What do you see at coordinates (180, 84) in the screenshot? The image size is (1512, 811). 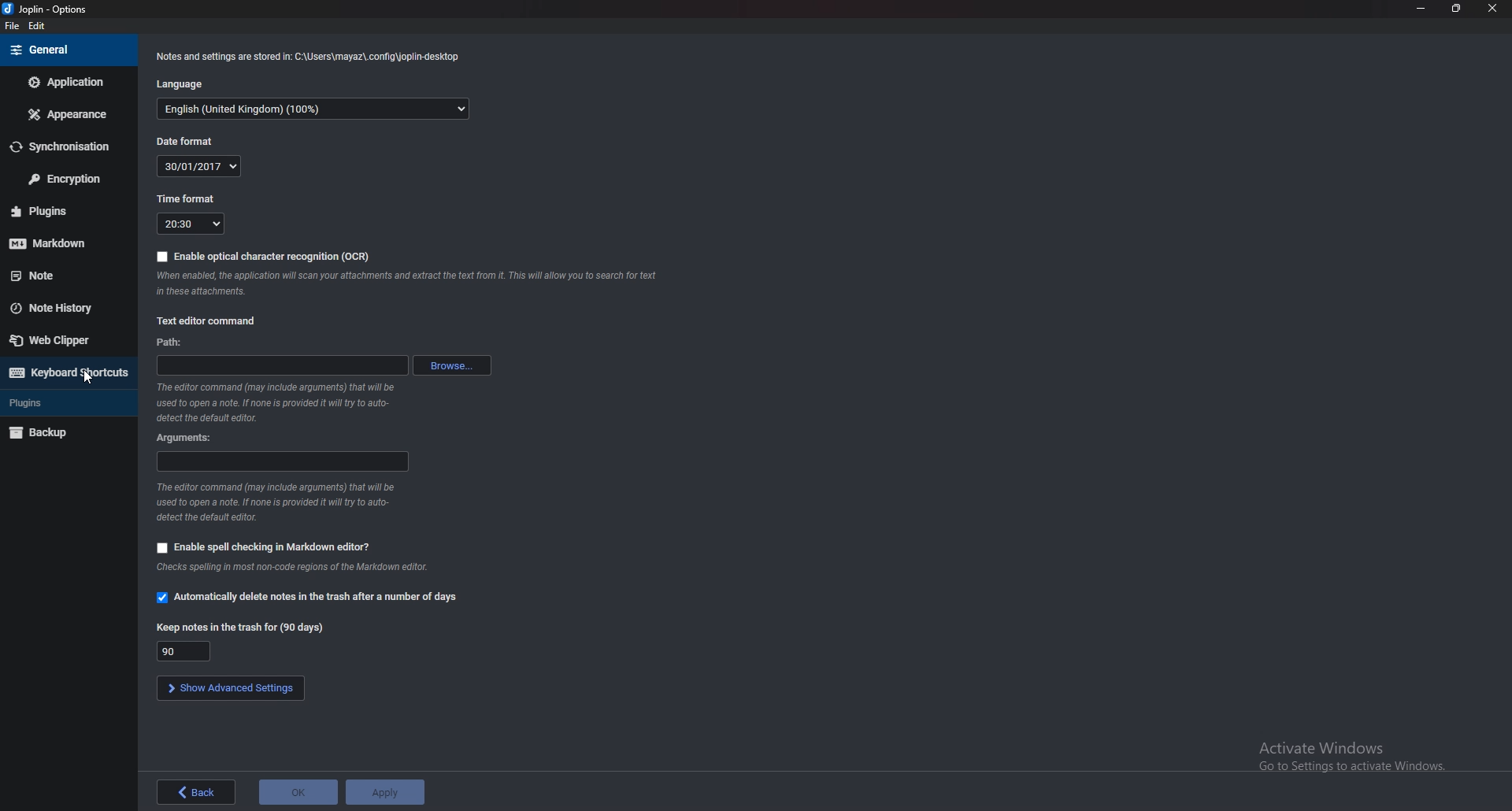 I see `Language` at bounding box center [180, 84].